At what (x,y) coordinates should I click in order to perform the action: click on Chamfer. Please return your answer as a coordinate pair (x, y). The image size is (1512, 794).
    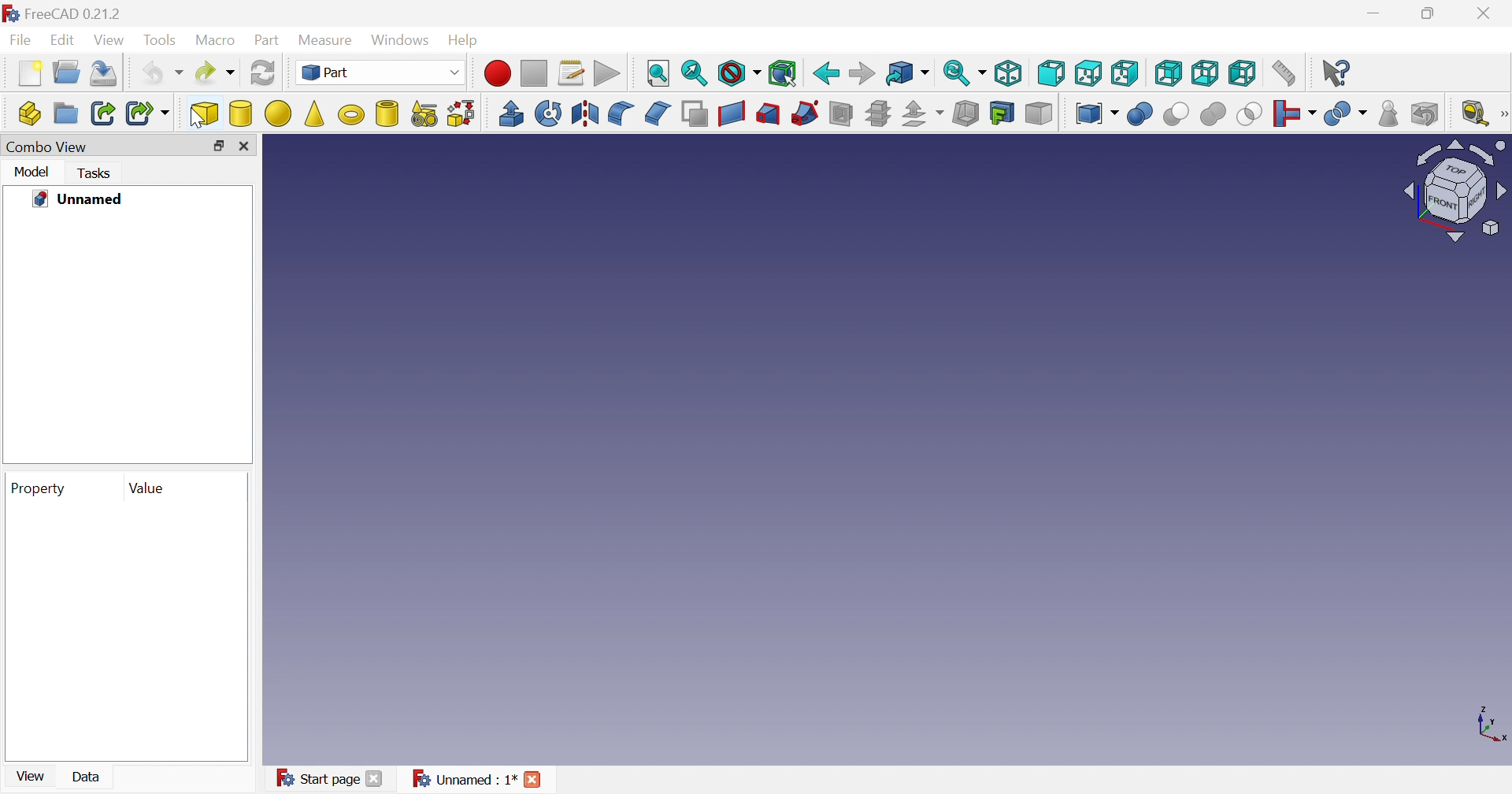
    Looking at the image, I should click on (659, 113).